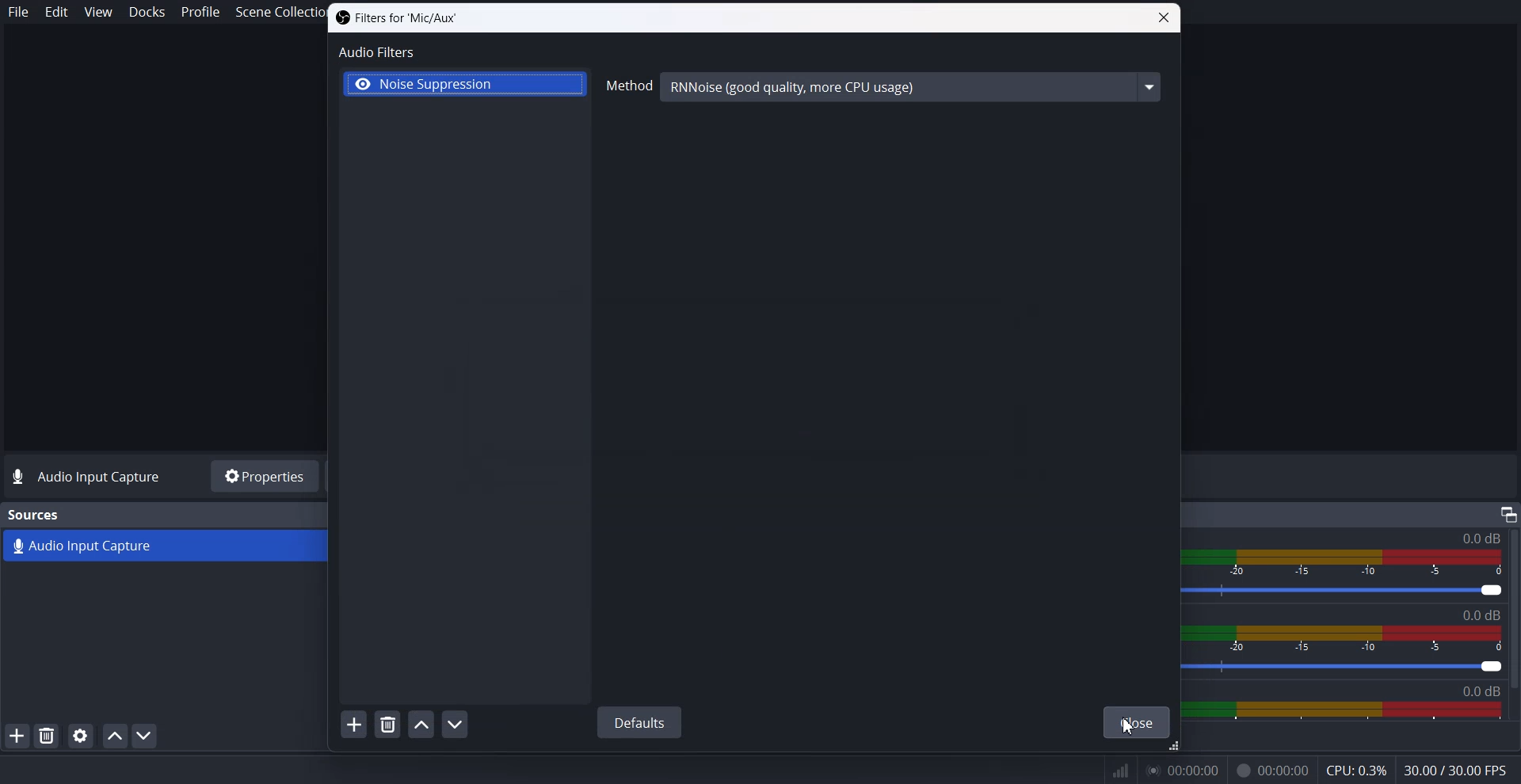  Describe the element at coordinates (273, 13) in the screenshot. I see `Scene Collection` at that location.